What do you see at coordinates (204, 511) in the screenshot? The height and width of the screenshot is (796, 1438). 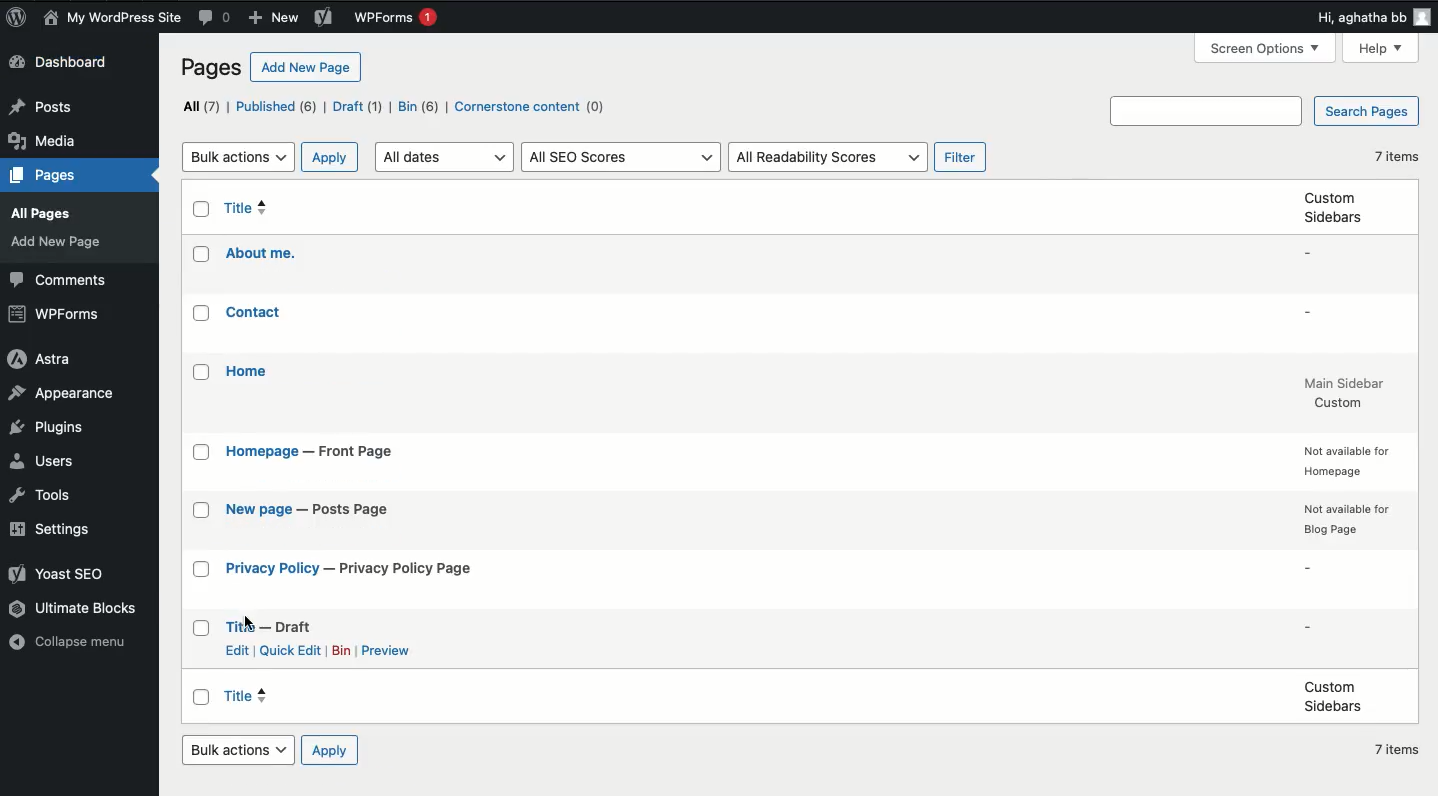 I see `Checkbox` at bounding box center [204, 511].